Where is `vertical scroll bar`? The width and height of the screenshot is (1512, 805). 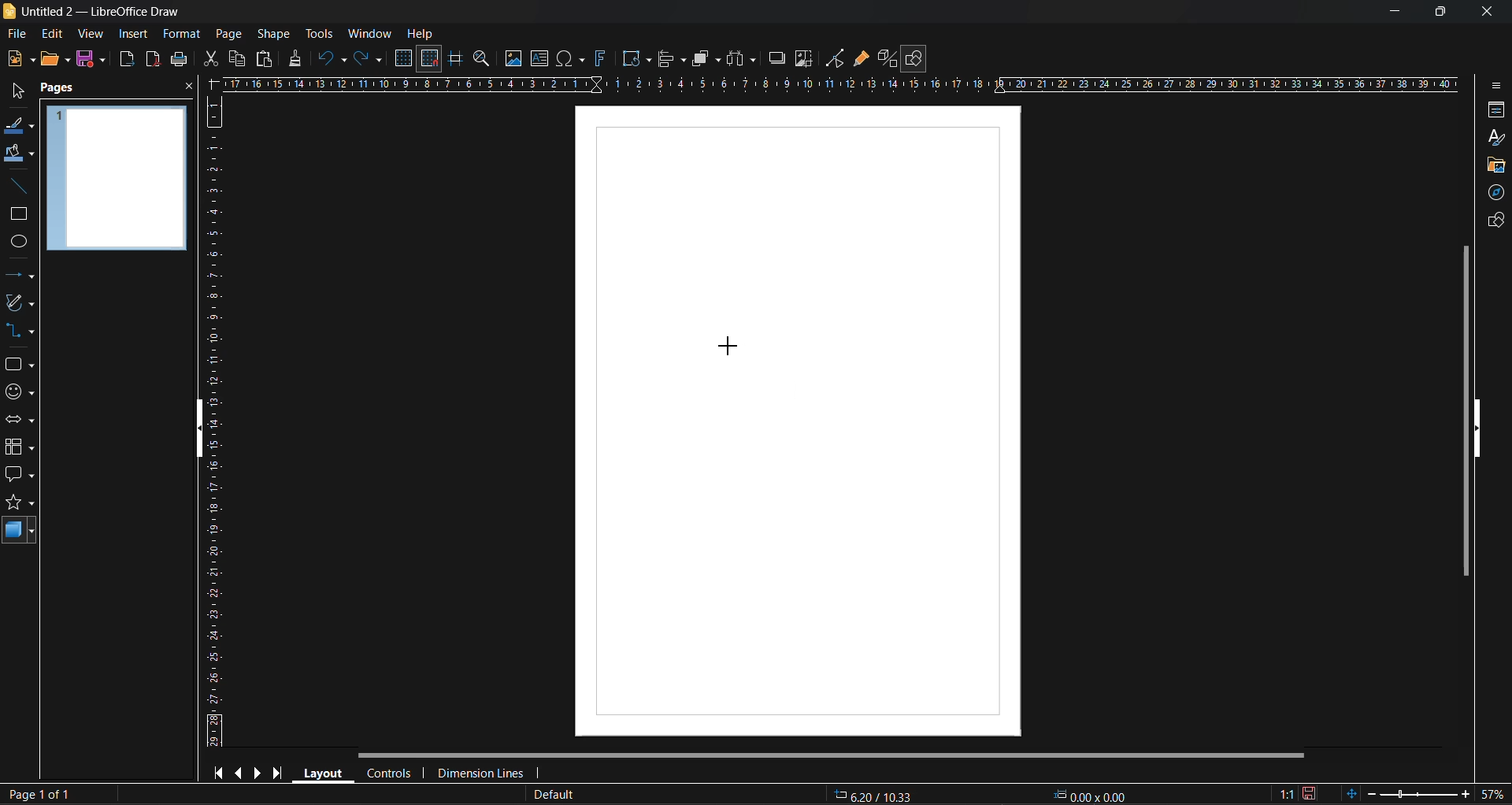 vertical scroll bar is located at coordinates (1466, 410).